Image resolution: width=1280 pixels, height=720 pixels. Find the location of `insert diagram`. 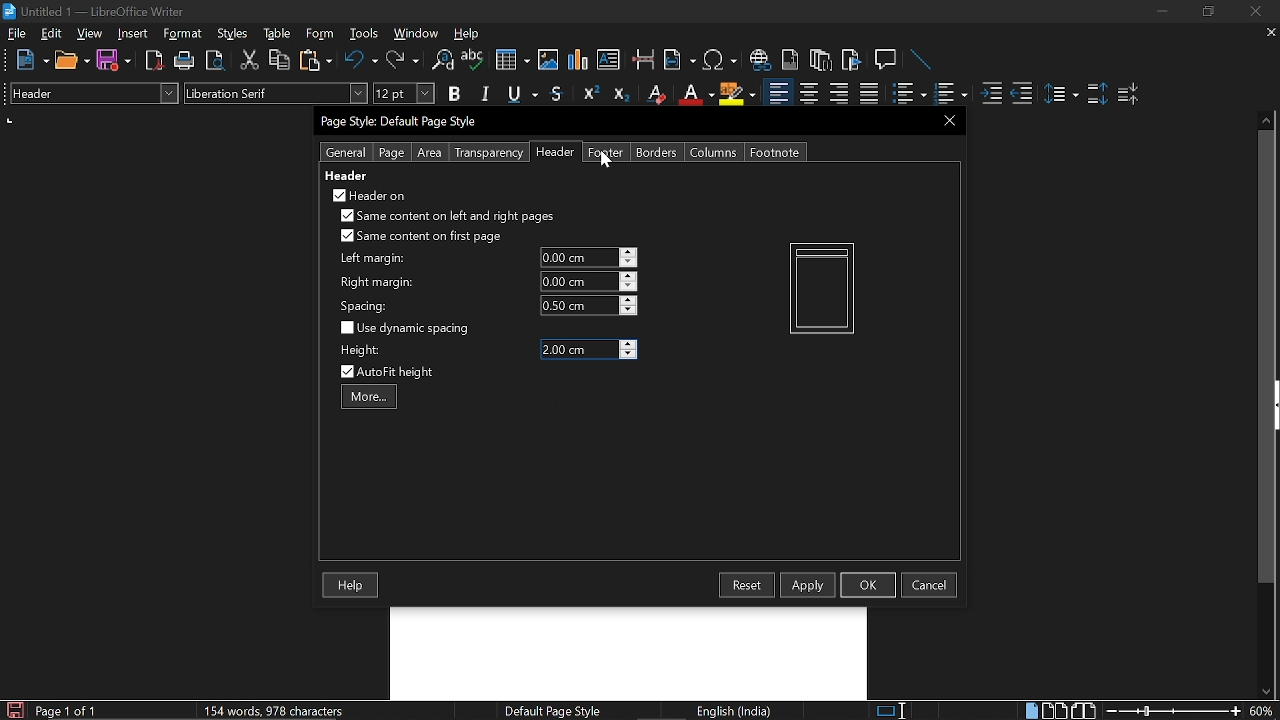

insert diagram is located at coordinates (578, 60).